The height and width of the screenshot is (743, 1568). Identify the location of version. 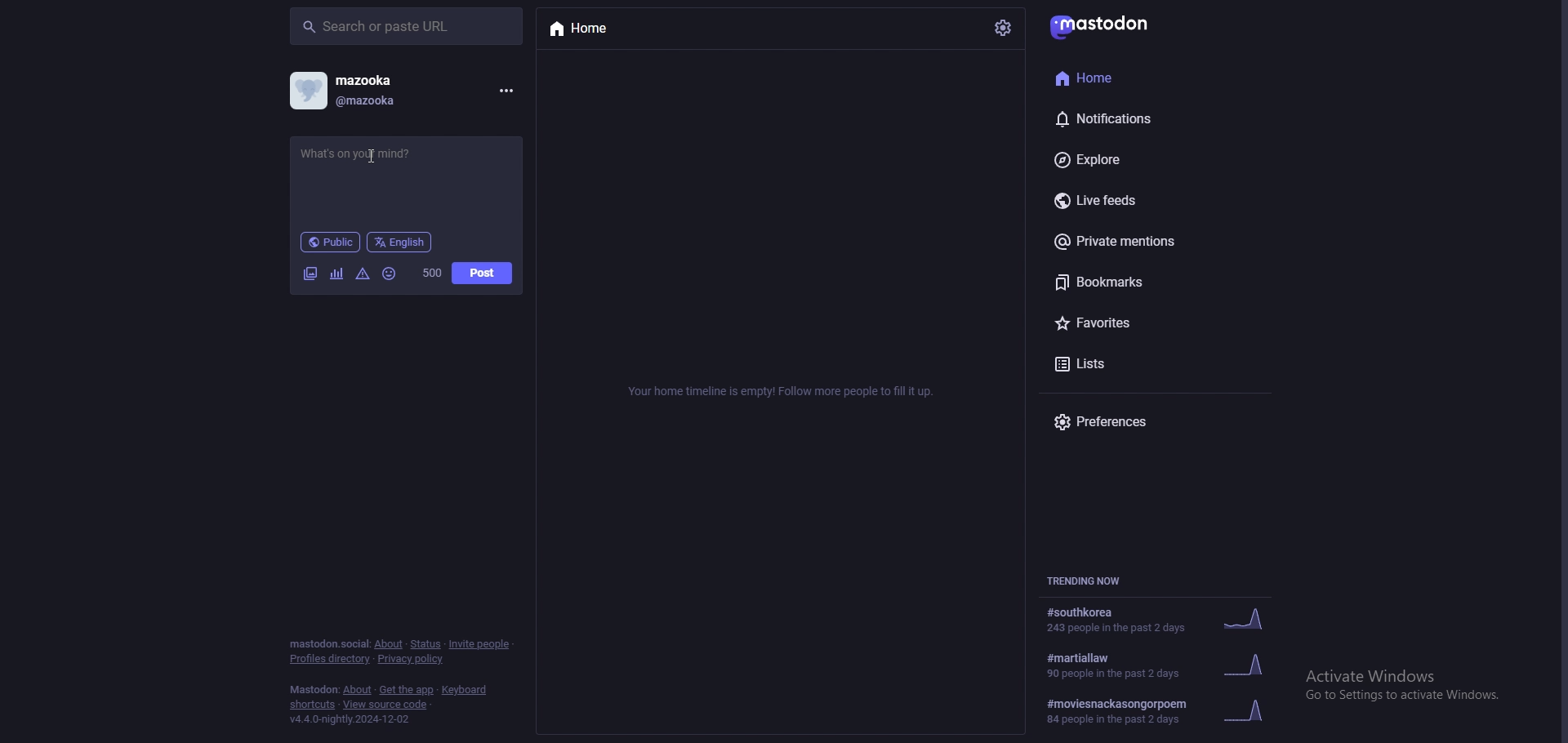
(353, 719).